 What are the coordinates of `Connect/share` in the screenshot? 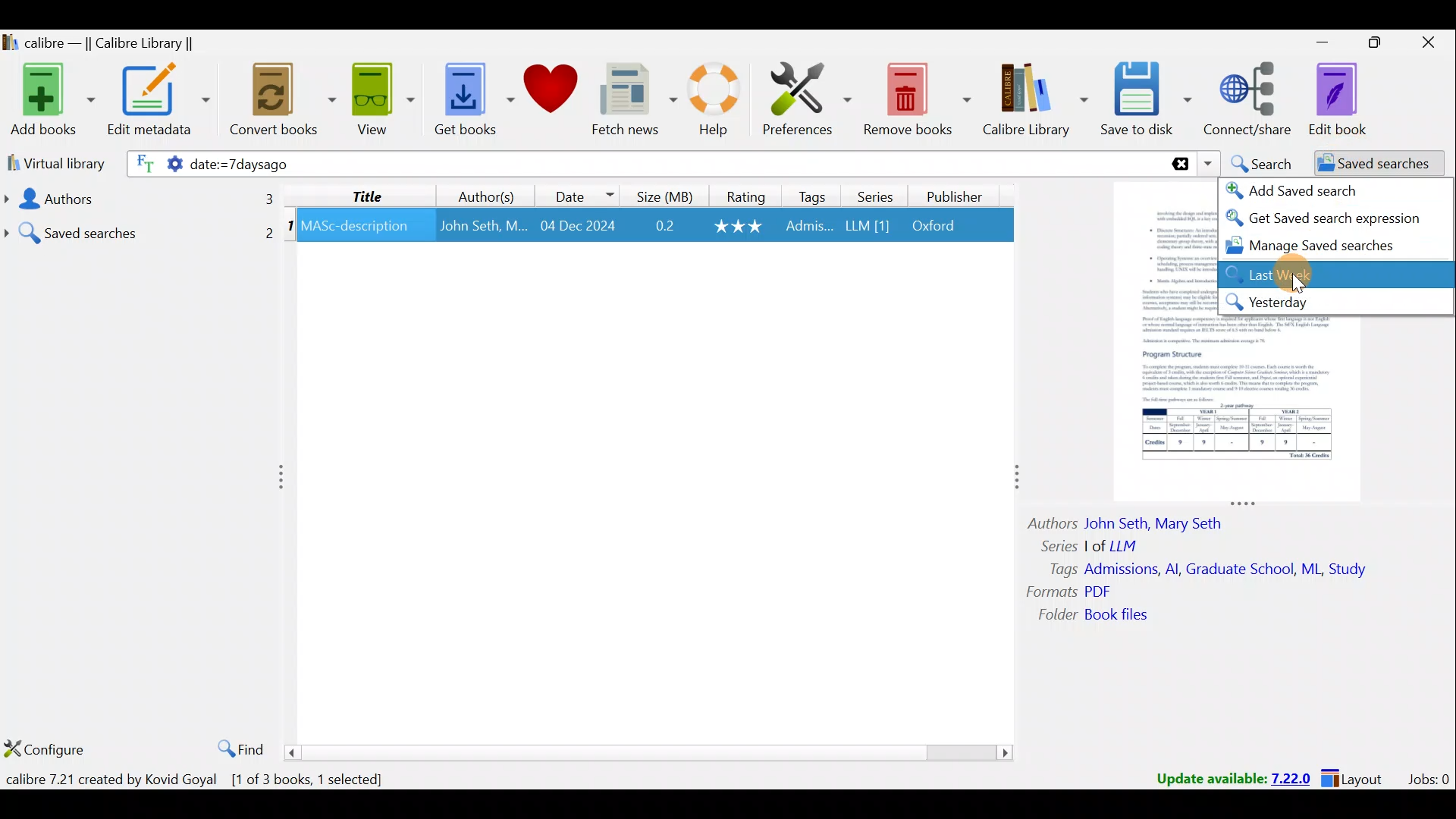 It's located at (1251, 100).